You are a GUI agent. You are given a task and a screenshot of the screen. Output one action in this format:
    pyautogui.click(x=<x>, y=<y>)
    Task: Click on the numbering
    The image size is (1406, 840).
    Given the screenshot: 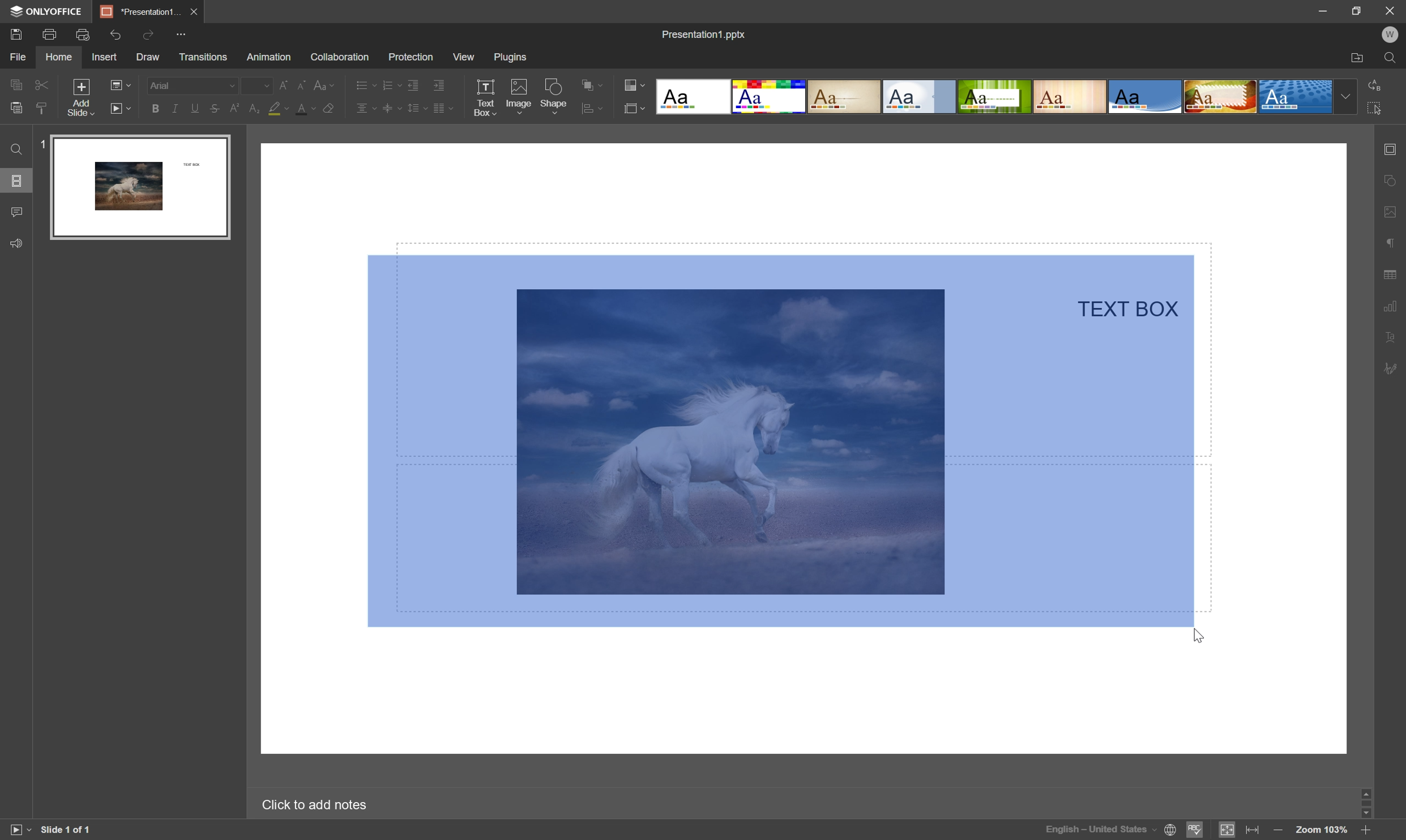 What is the action you would take?
    pyautogui.click(x=390, y=85)
    